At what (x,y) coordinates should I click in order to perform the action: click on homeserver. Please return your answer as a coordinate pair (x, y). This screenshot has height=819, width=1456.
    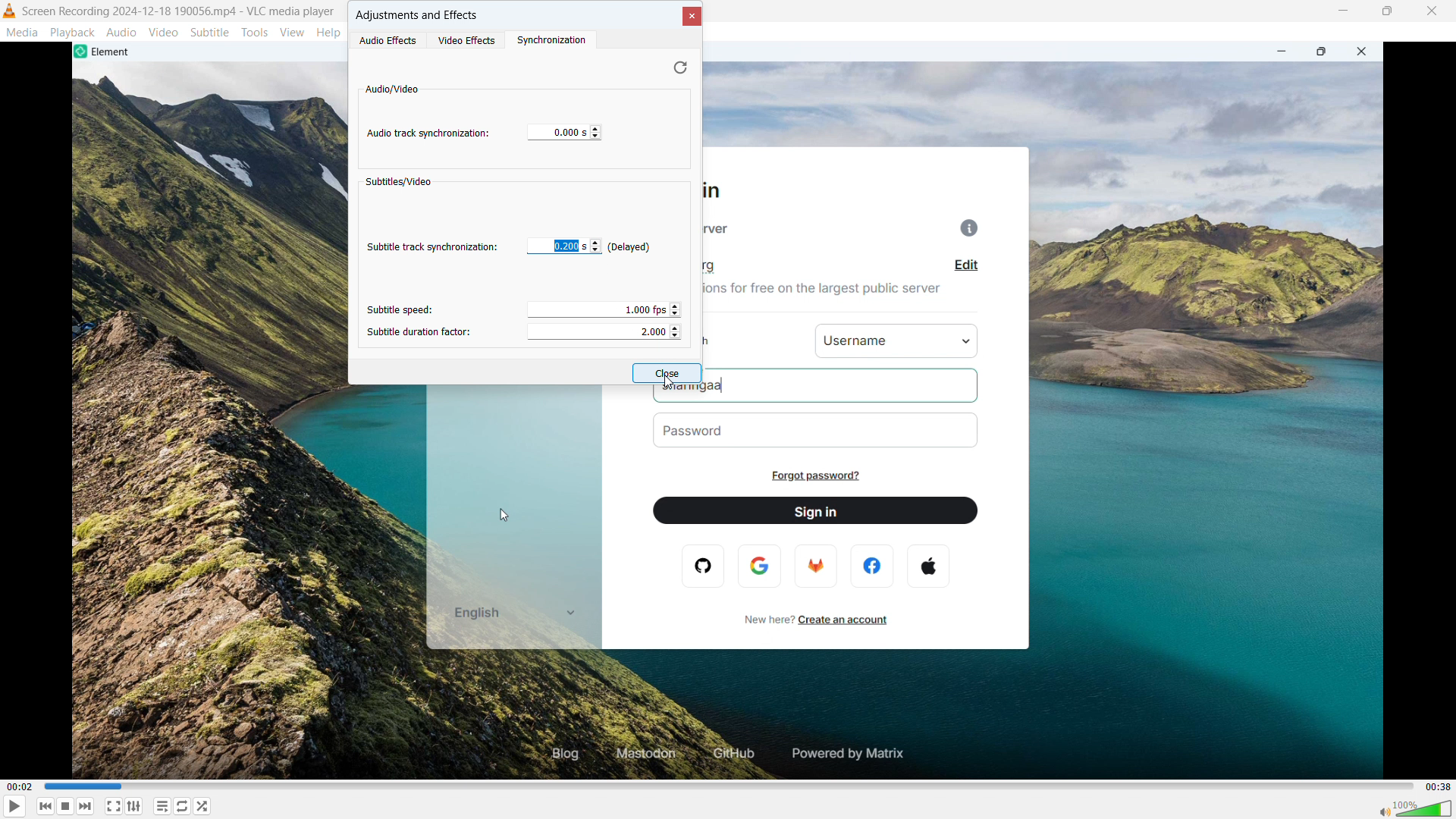
    Looking at the image, I should click on (725, 230).